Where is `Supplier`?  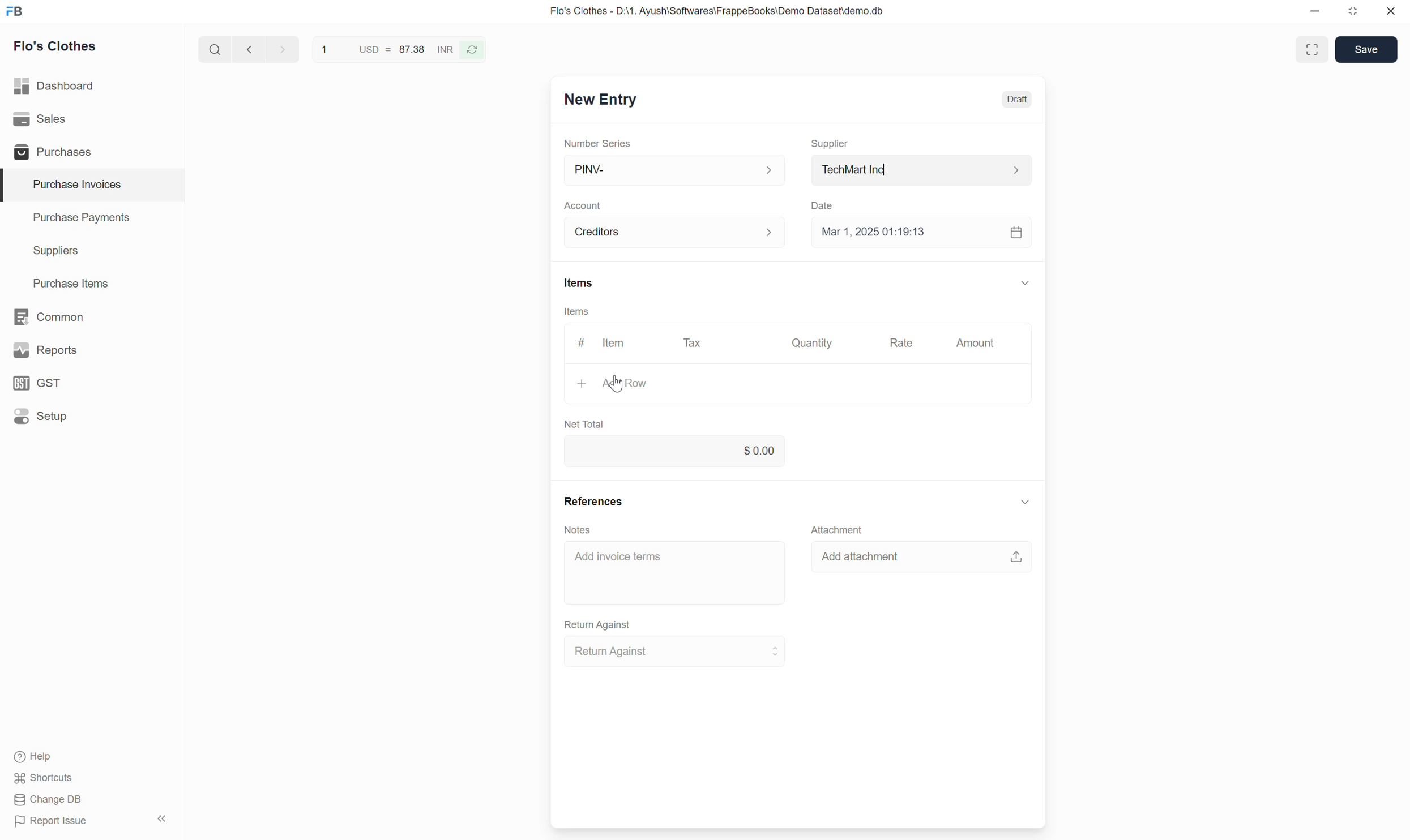 Supplier is located at coordinates (831, 139).